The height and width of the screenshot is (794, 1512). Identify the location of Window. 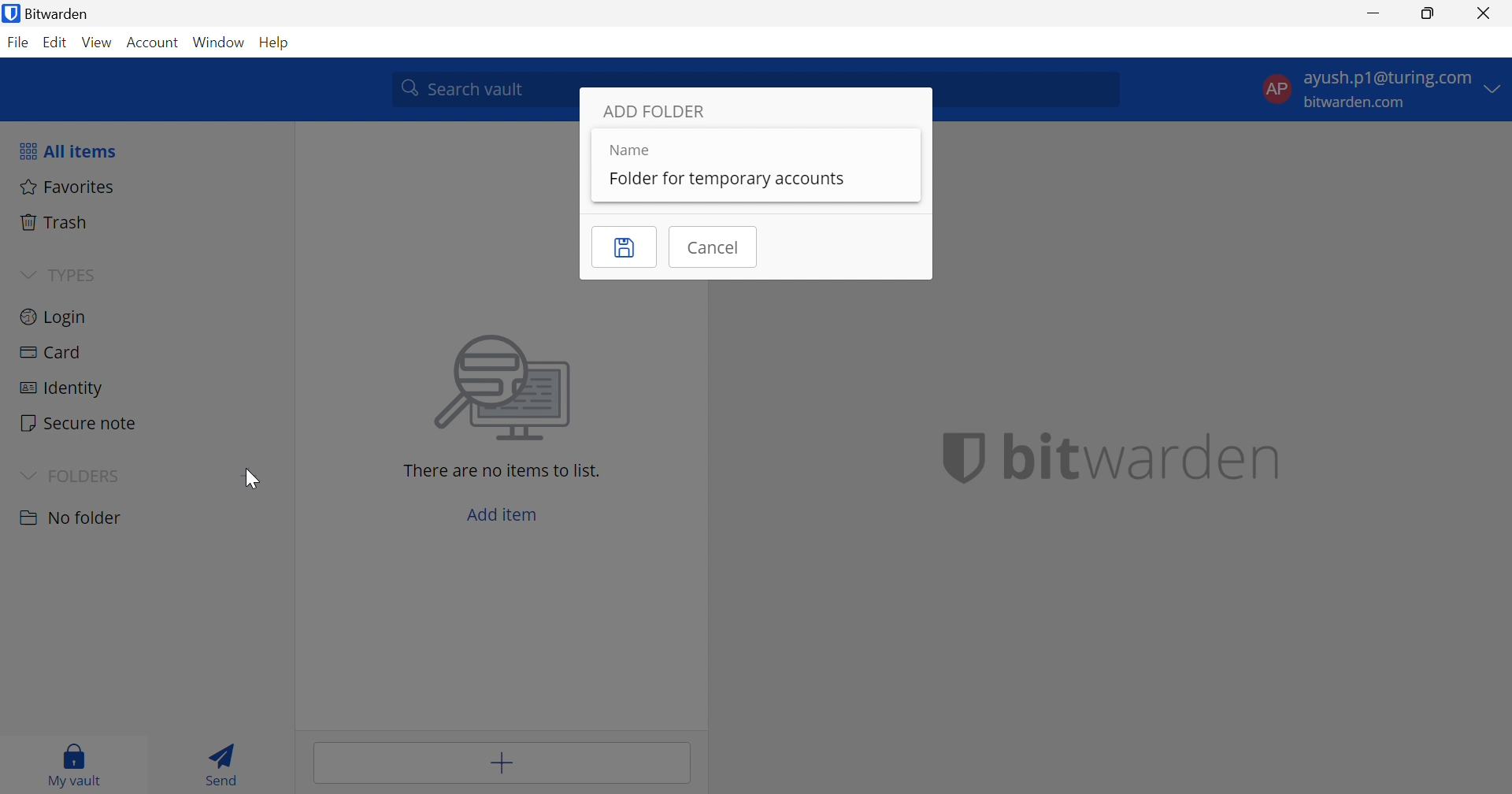
(217, 42).